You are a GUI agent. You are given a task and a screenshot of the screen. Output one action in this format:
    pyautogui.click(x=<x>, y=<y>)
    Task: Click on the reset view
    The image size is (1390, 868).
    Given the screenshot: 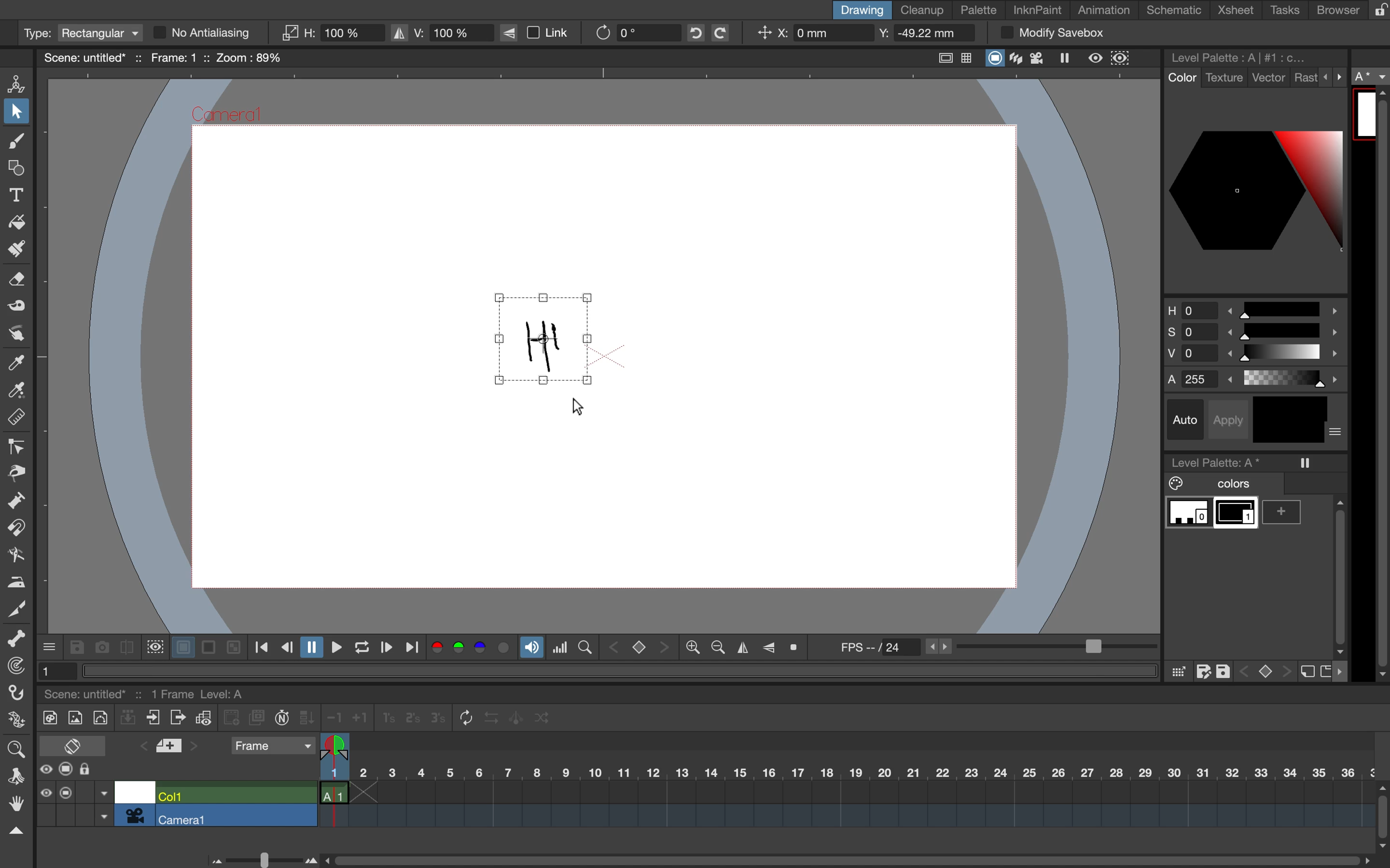 What is the action you would take?
    pyautogui.click(x=798, y=648)
    